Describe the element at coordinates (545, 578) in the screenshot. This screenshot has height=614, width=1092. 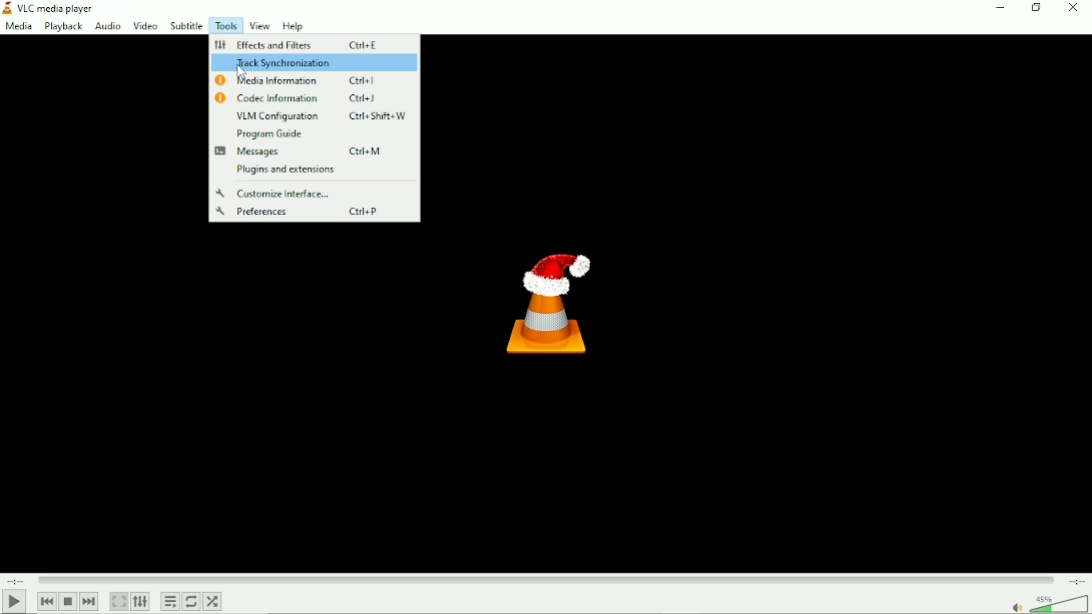
I see `Play duration` at that location.